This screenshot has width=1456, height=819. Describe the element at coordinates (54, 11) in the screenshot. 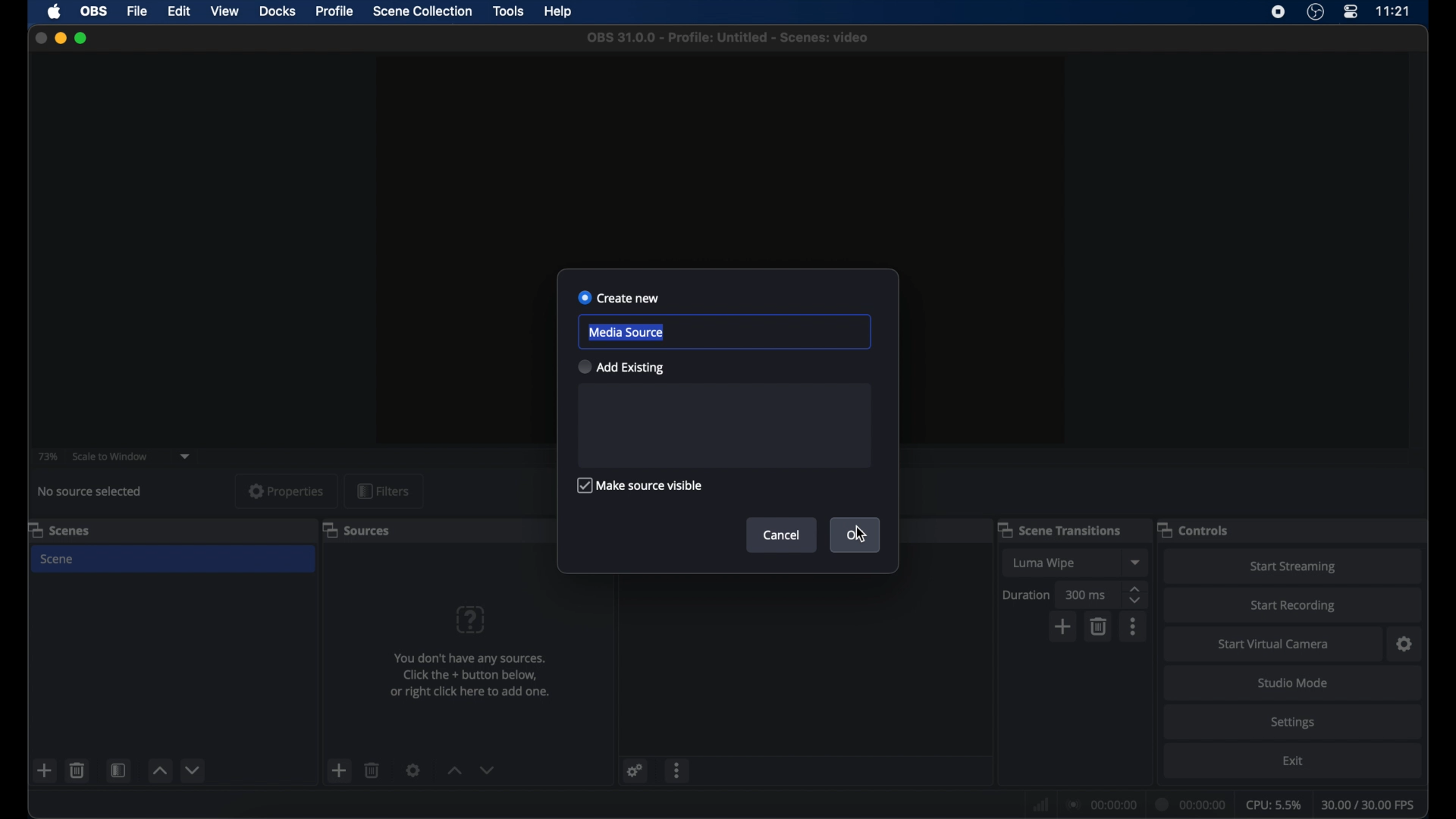

I see `apple icon` at that location.